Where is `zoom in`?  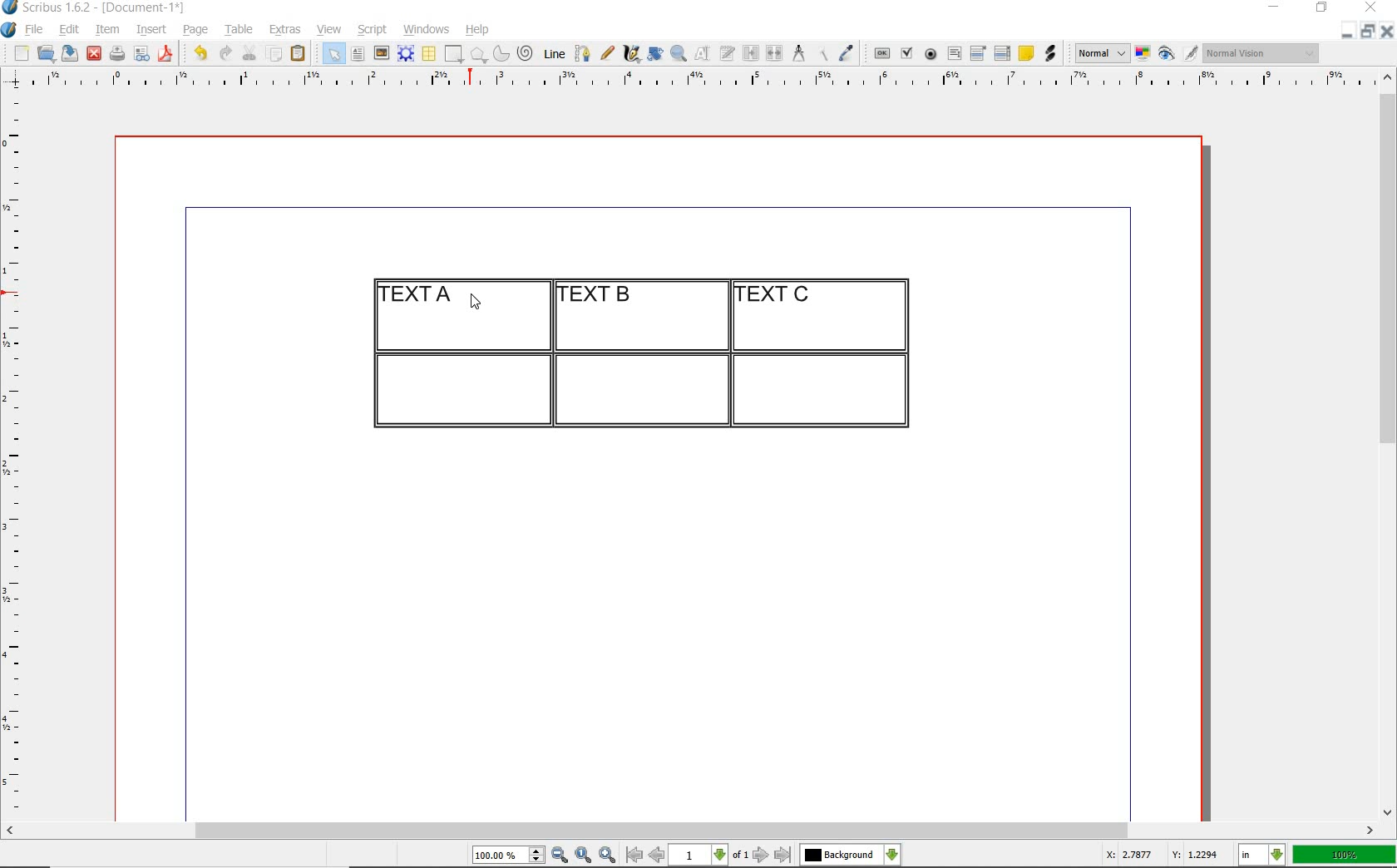
zoom in is located at coordinates (608, 856).